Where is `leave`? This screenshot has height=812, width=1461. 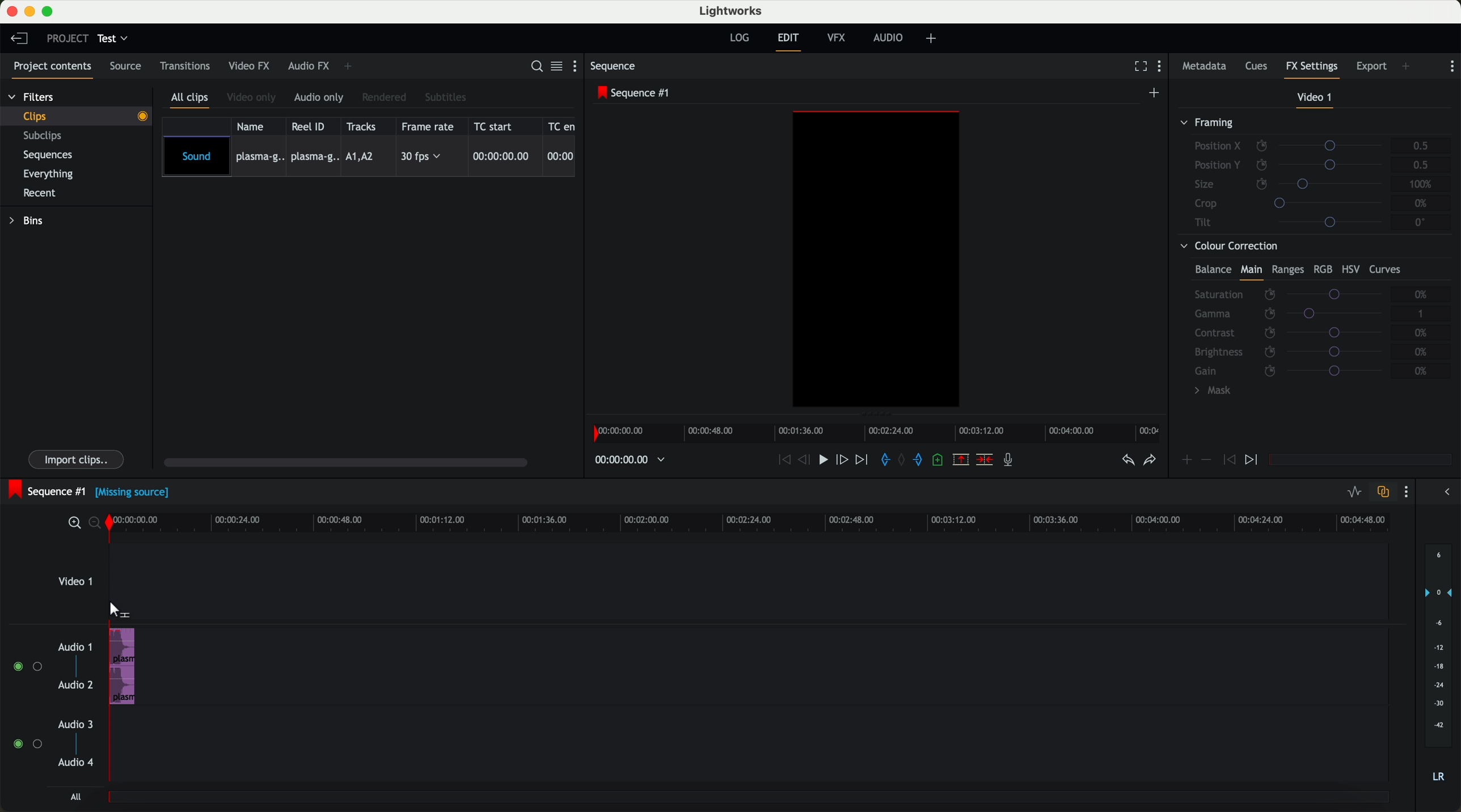 leave is located at coordinates (22, 41).